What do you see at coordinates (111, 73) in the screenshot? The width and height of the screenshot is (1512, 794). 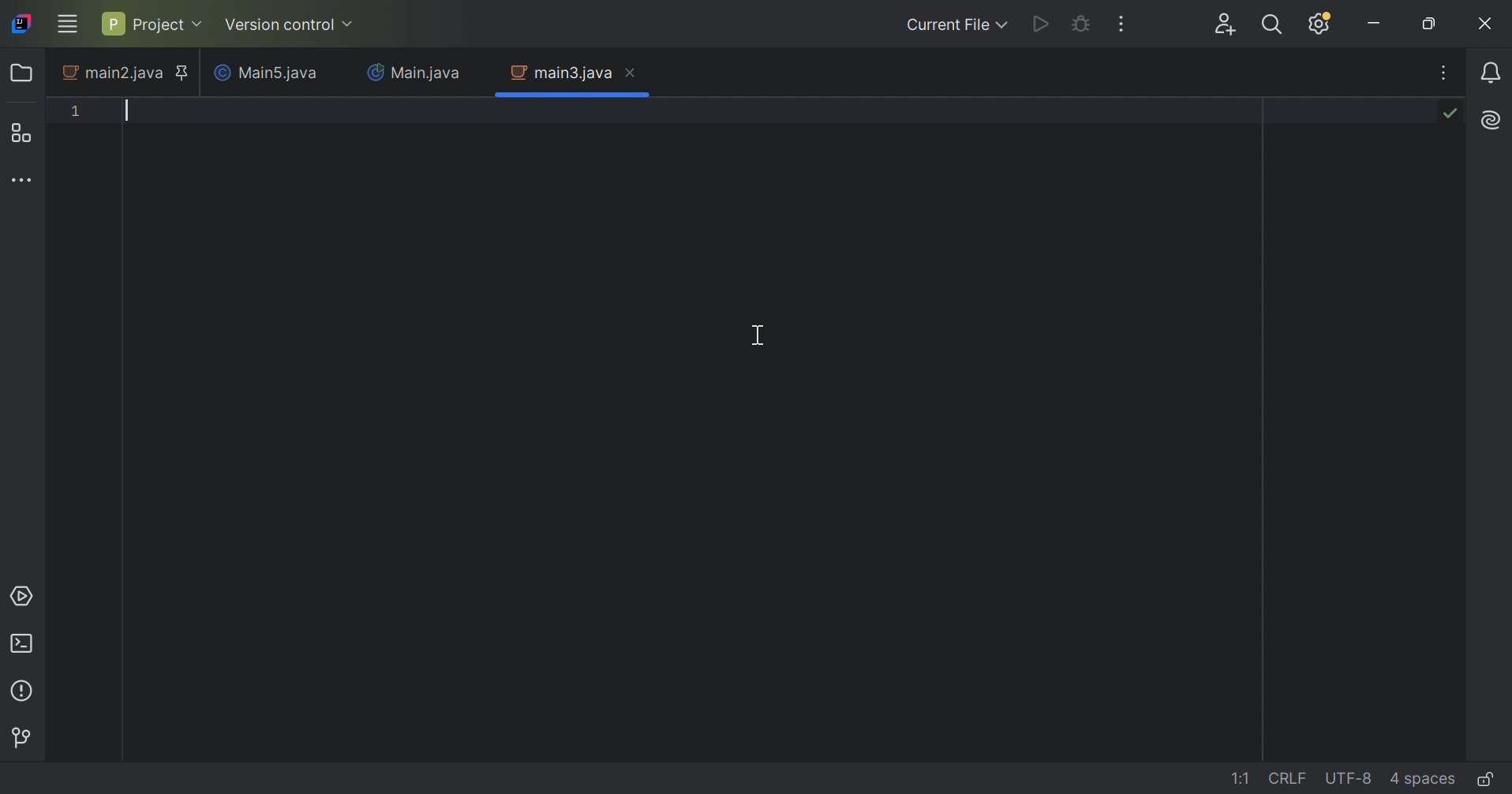 I see `main2.java` at bounding box center [111, 73].